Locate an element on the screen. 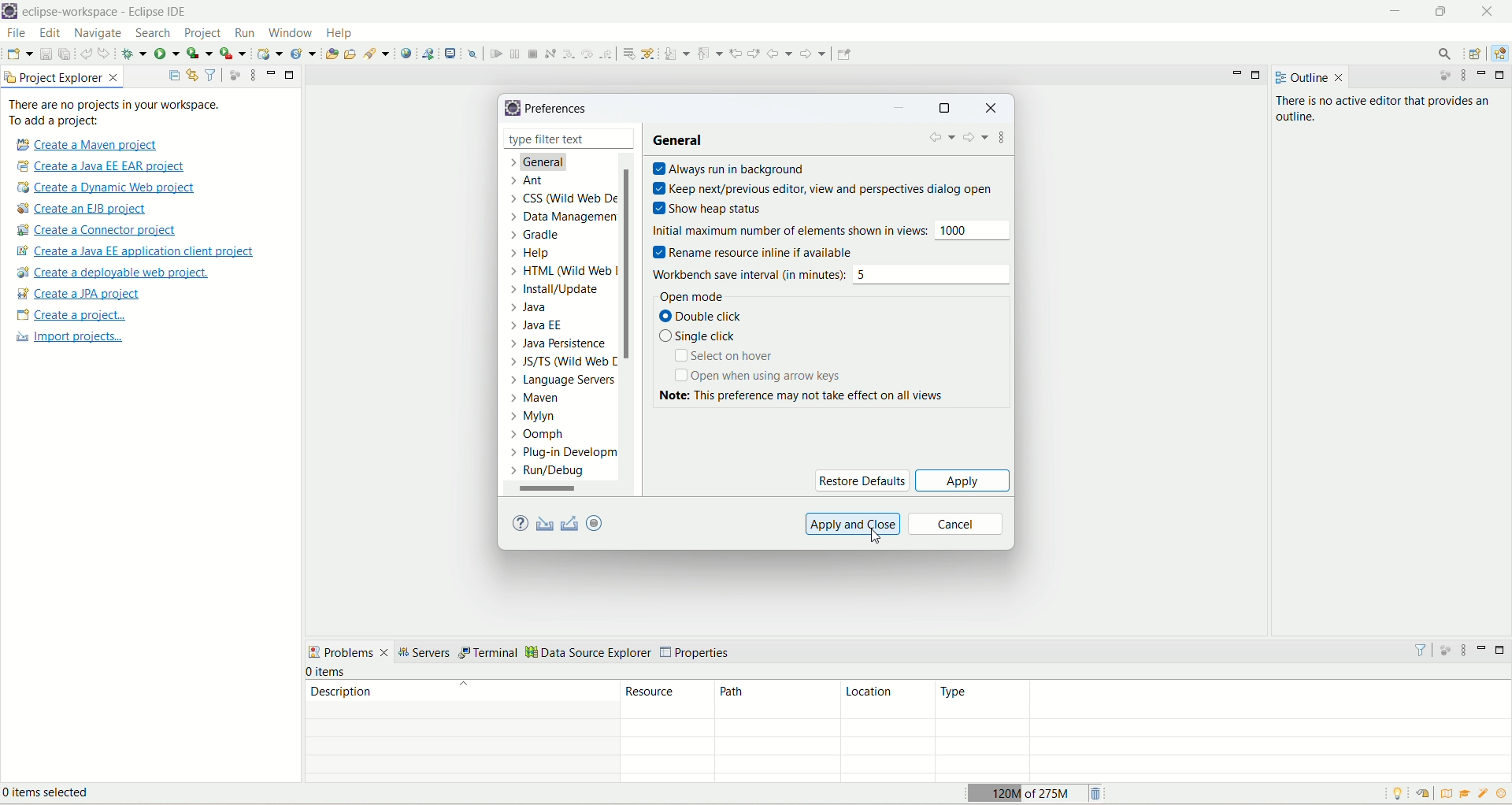 This screenshot has width=1512, height=805. problems is located at coordinates (349, 651).